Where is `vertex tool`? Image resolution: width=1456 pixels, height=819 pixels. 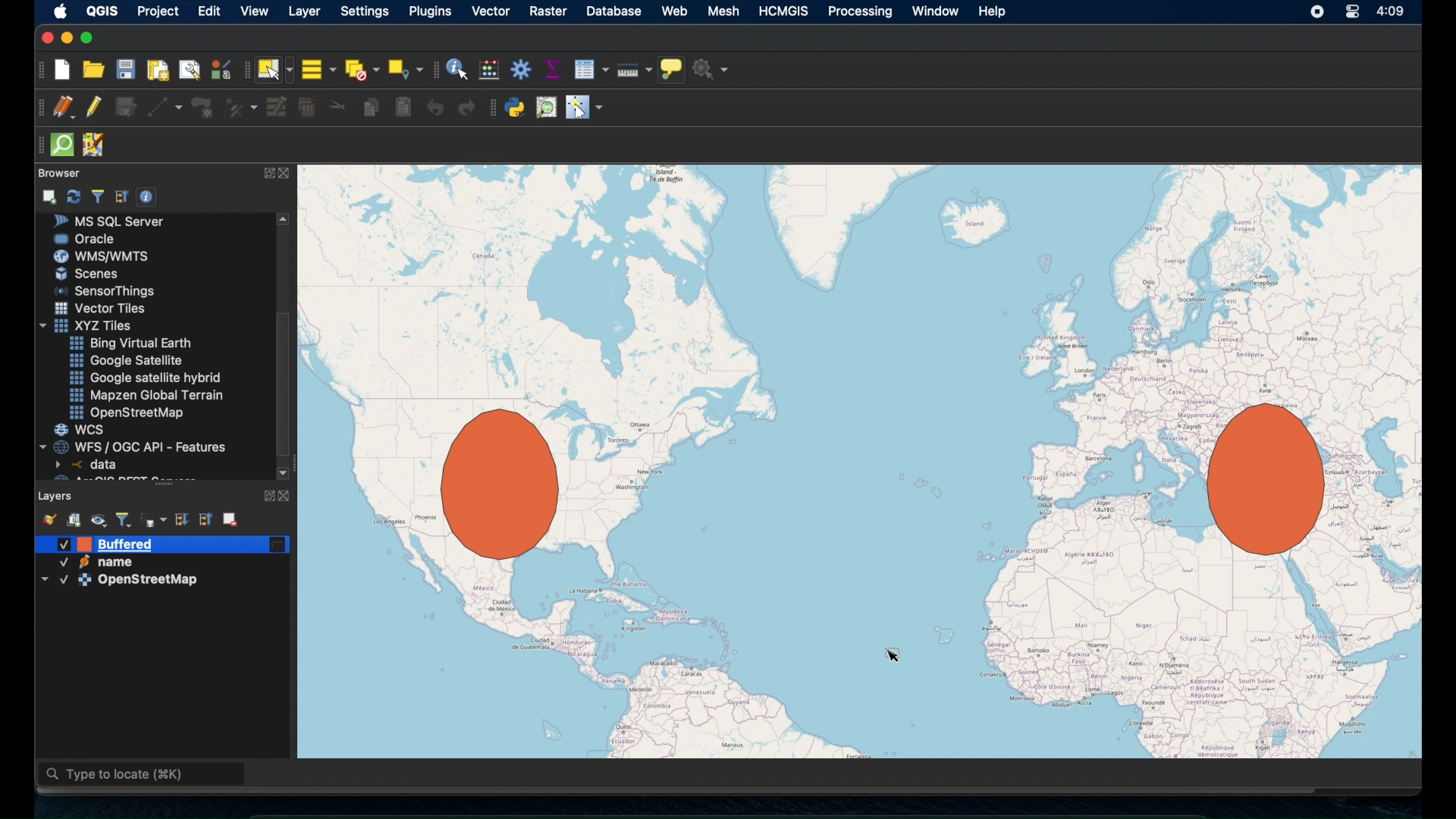 vertex tool is located at coordinates (240, 105).